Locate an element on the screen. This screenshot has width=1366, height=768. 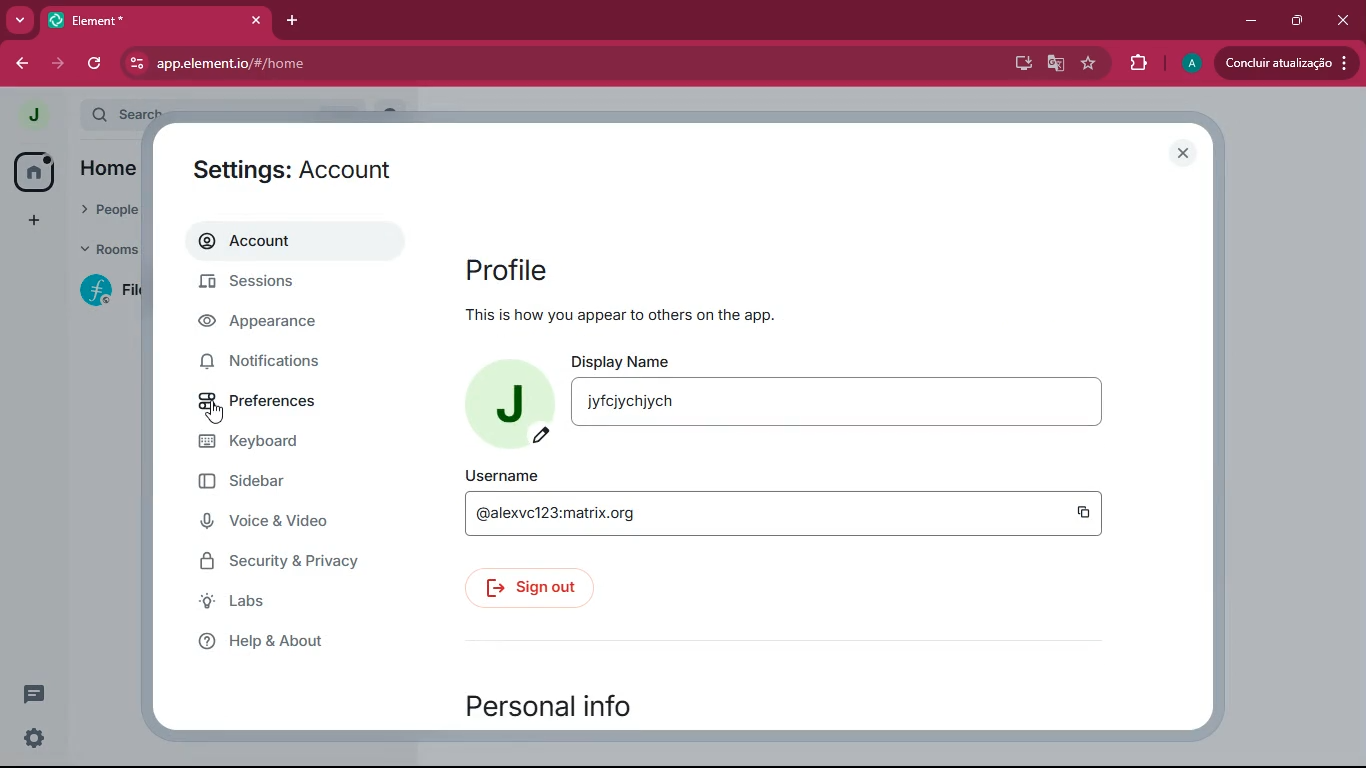
settings: account is located at coordinates (297, 169).